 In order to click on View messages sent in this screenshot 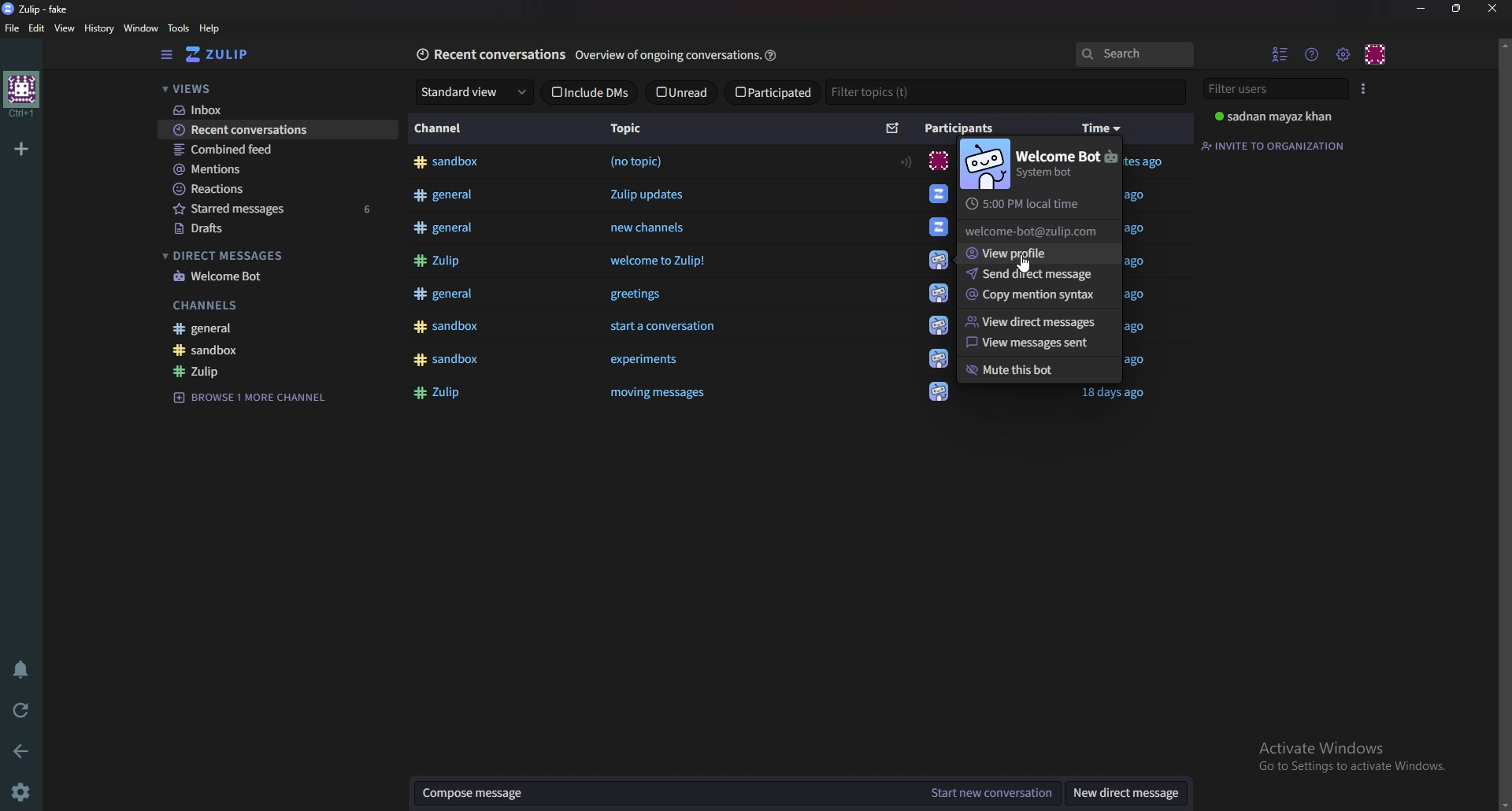, I will do `click(1033, 343)`.